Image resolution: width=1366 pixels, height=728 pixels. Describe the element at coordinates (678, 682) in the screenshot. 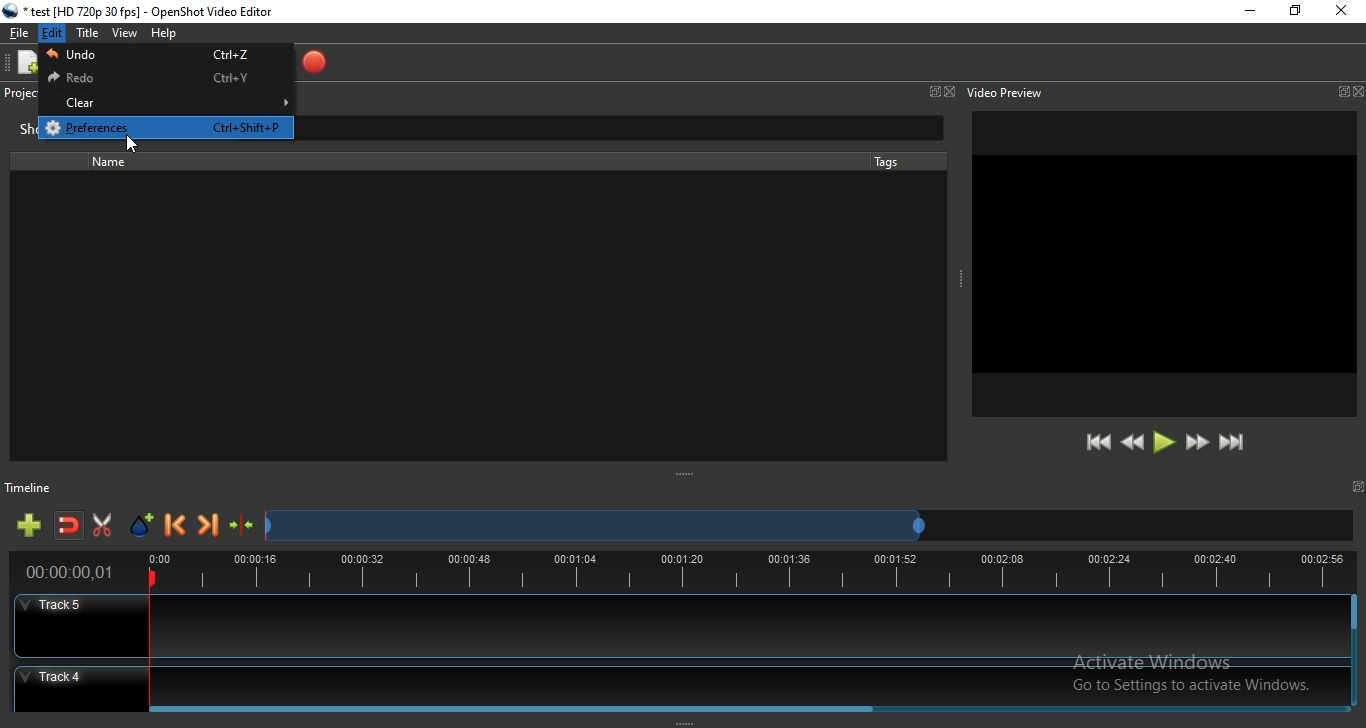

I see `Track` at that location.